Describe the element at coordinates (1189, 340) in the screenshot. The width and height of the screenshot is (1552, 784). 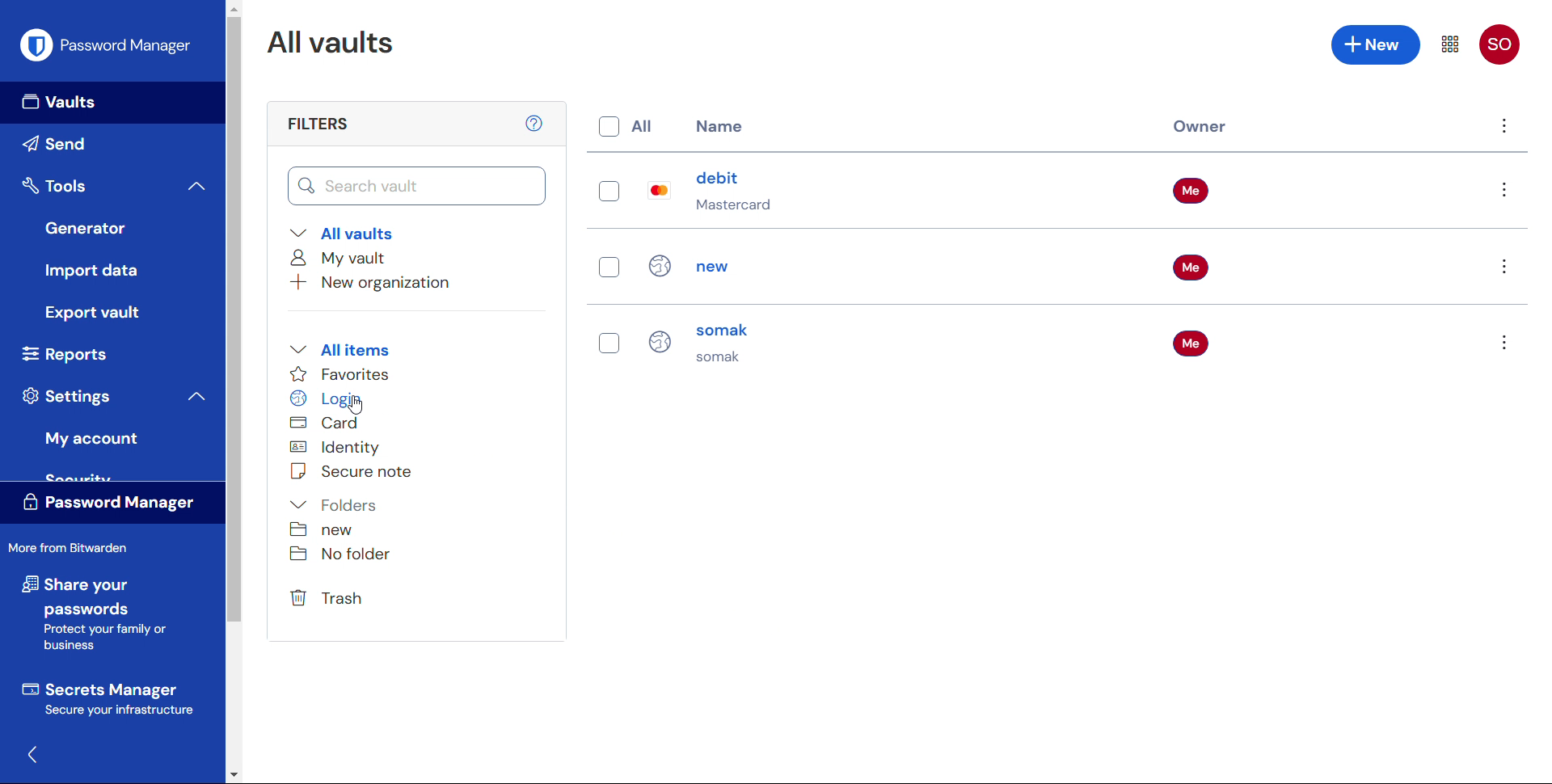
I see `Me` at that location.